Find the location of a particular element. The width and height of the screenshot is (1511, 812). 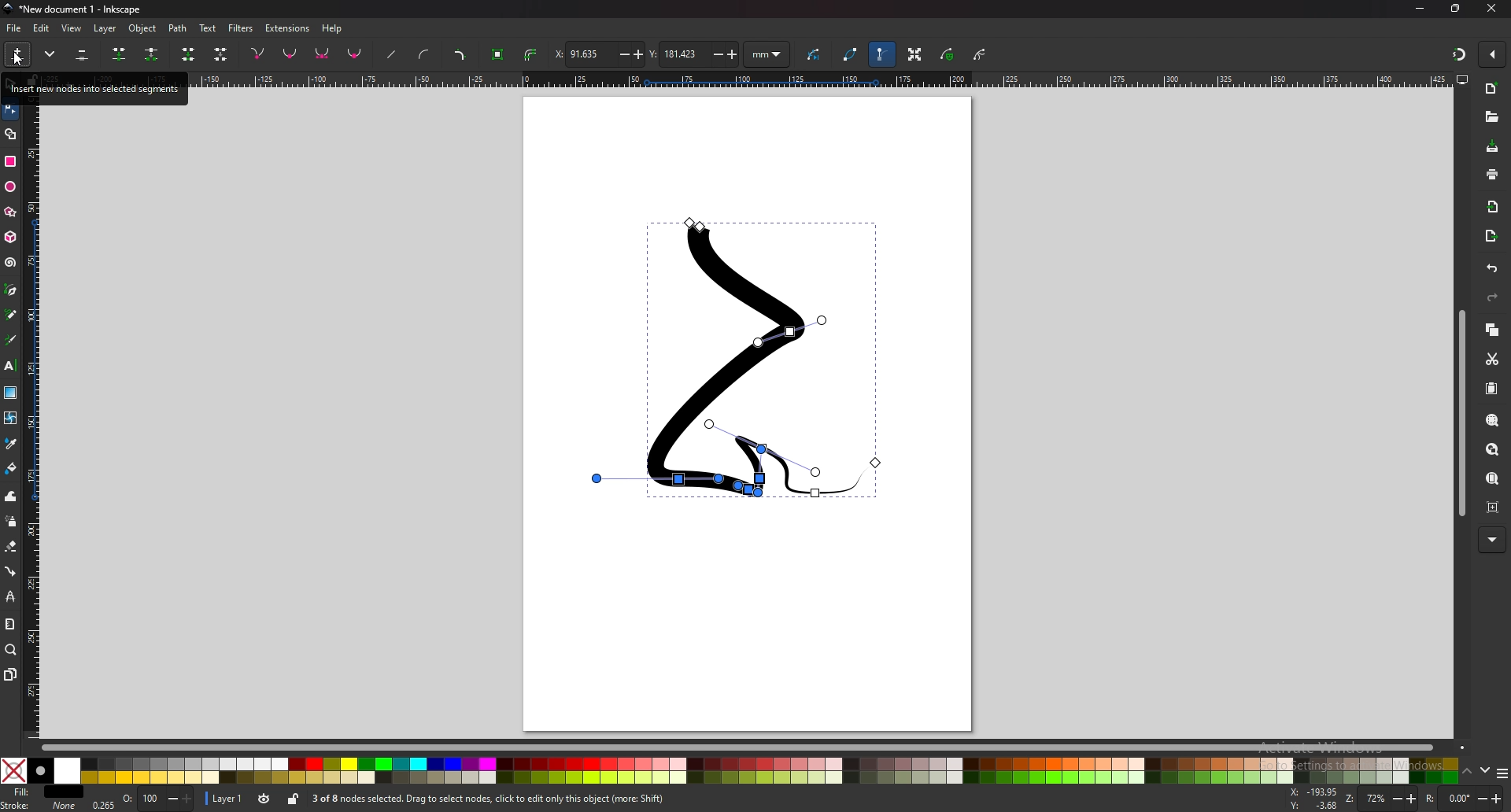

insert new nodes is located at coordinates (18, 55).